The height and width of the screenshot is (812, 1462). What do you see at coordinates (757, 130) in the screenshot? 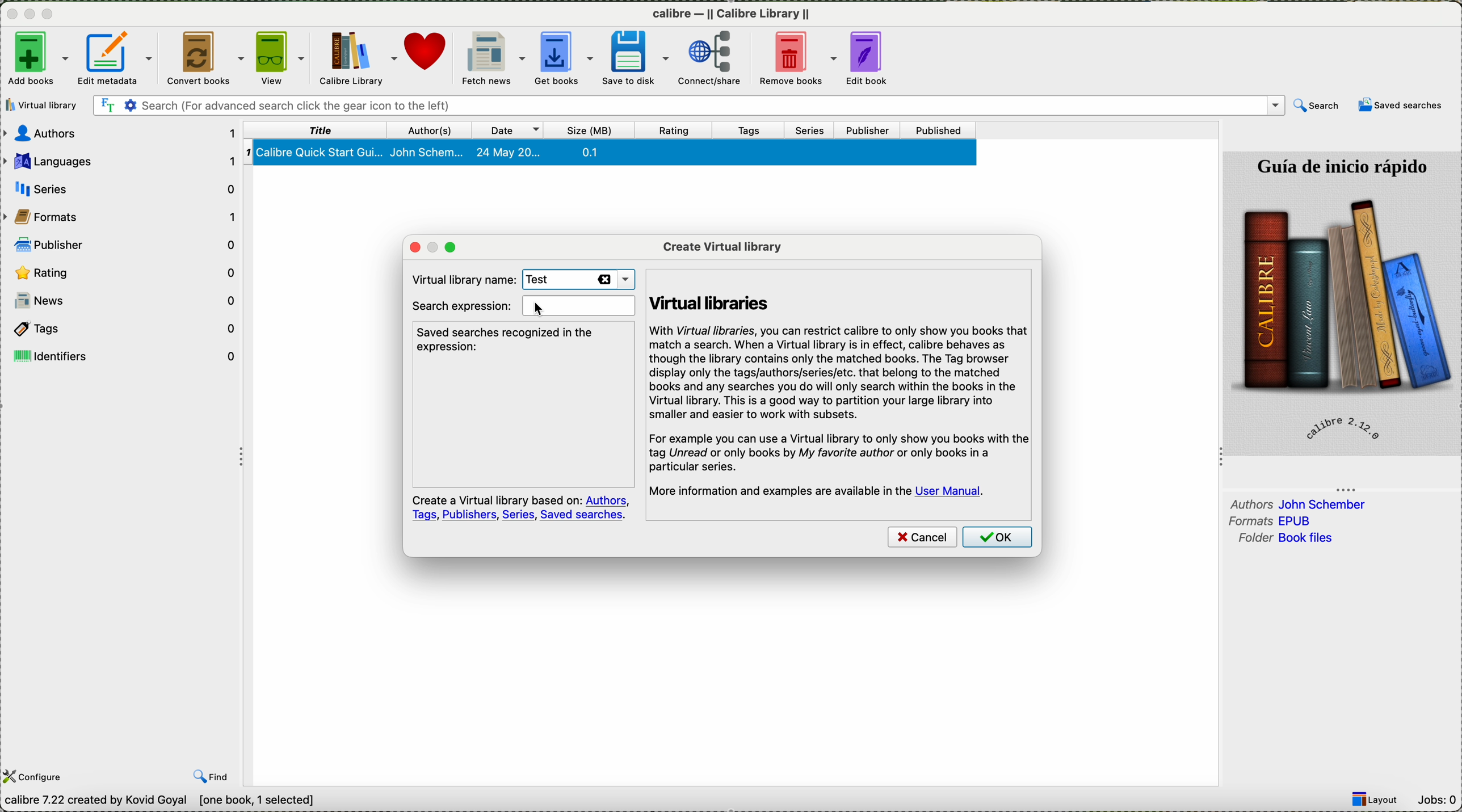
I see `tags` at bounding box center [757, 130].